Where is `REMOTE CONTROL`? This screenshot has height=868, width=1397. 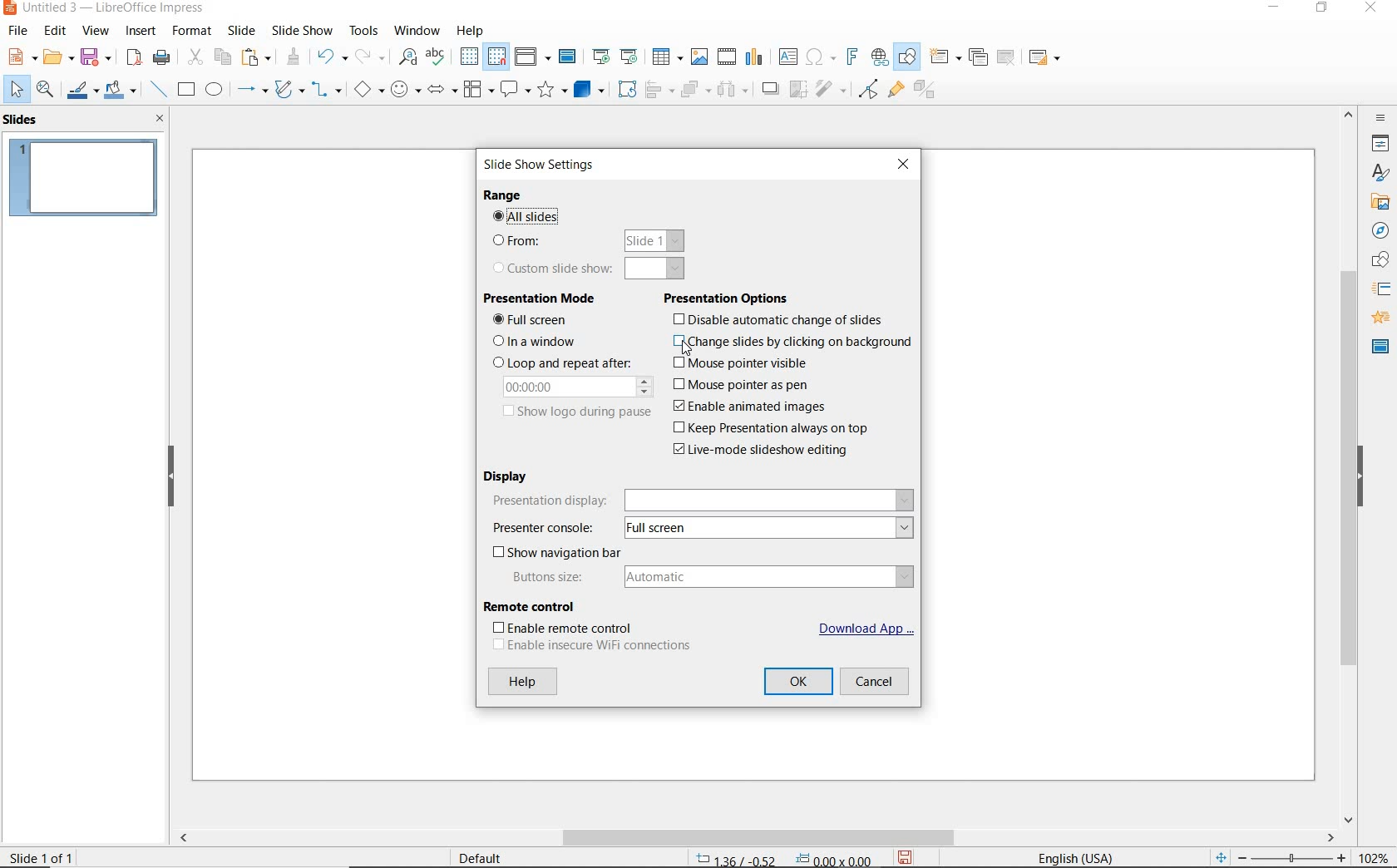
REMOTE CONTROL is located at coordinates (535, 608).